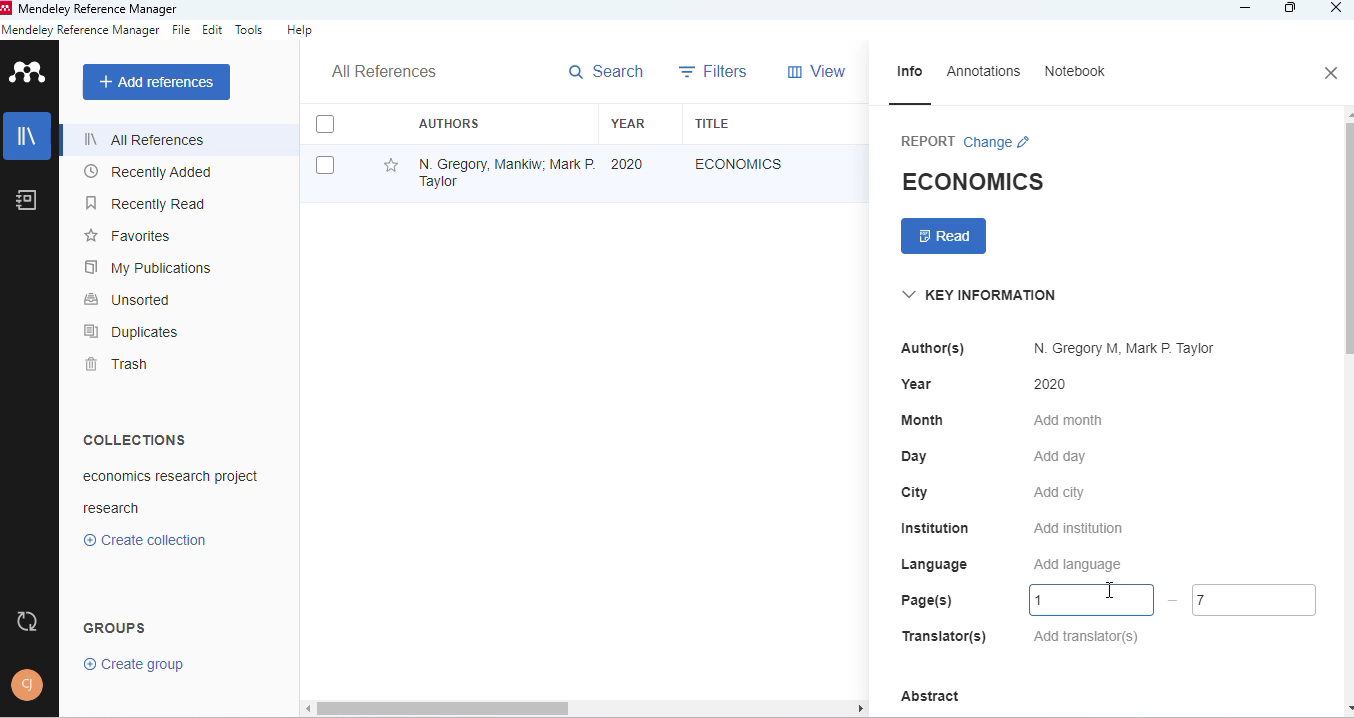 The width and height of the screenshot is (1354, 718). Describe the element at coordinates (119, 364) in the screenshot. I see `trash` at that location.